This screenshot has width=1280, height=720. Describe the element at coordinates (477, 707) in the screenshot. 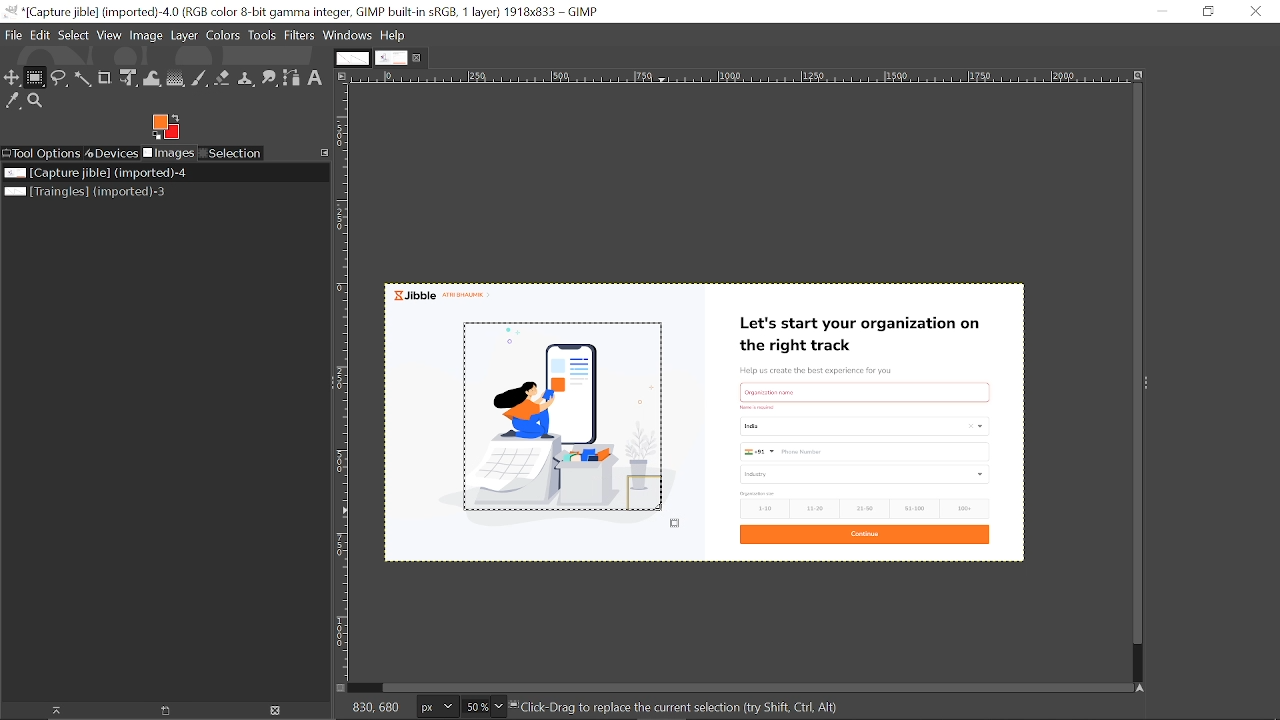

I see `Current zoom` at that location.